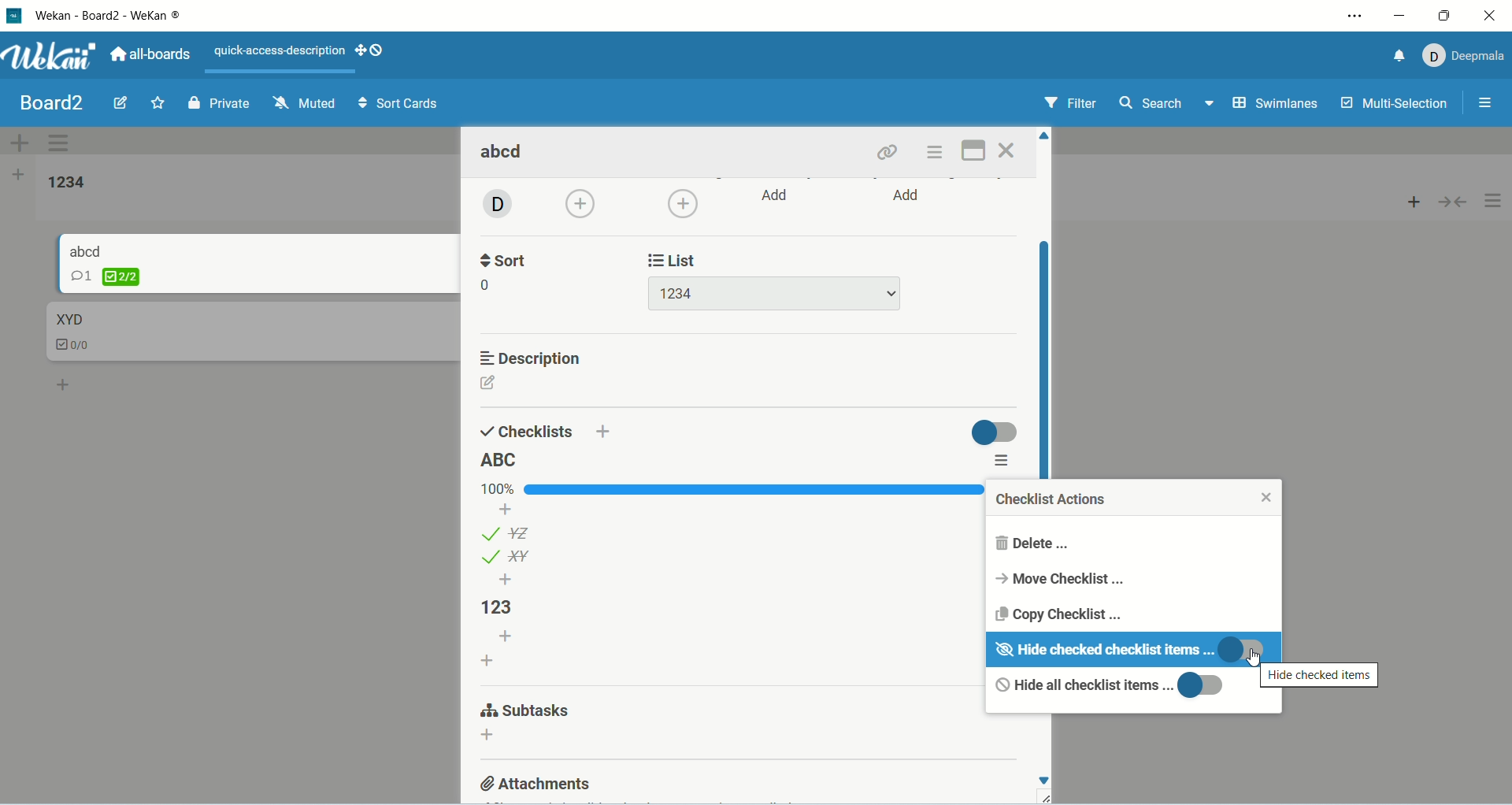 The height and width of the screenshot is (805, 1512). Describe the element at coordinates (1464, 56) in the screenshot. I see `account` at that location.